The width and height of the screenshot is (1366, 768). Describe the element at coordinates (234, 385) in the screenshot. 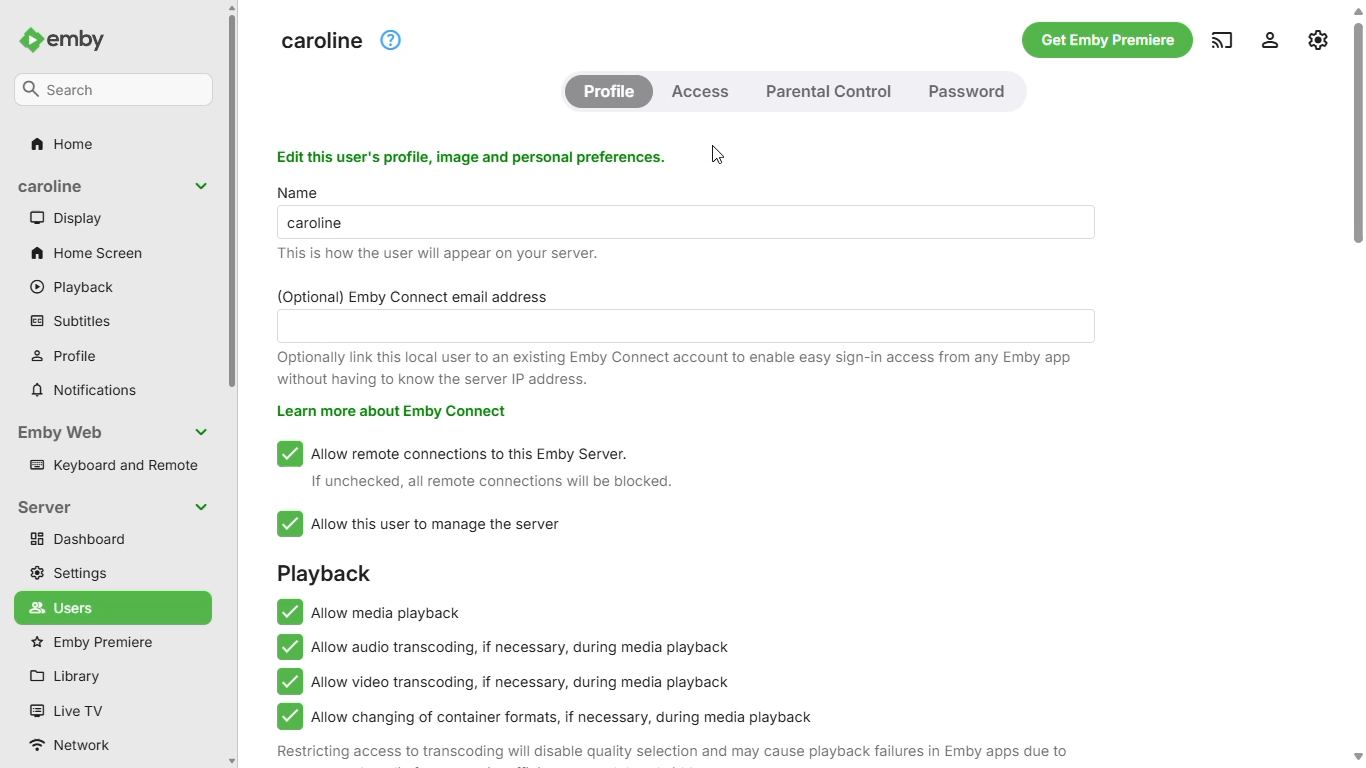

I see `vertical scroll bar` at that location.